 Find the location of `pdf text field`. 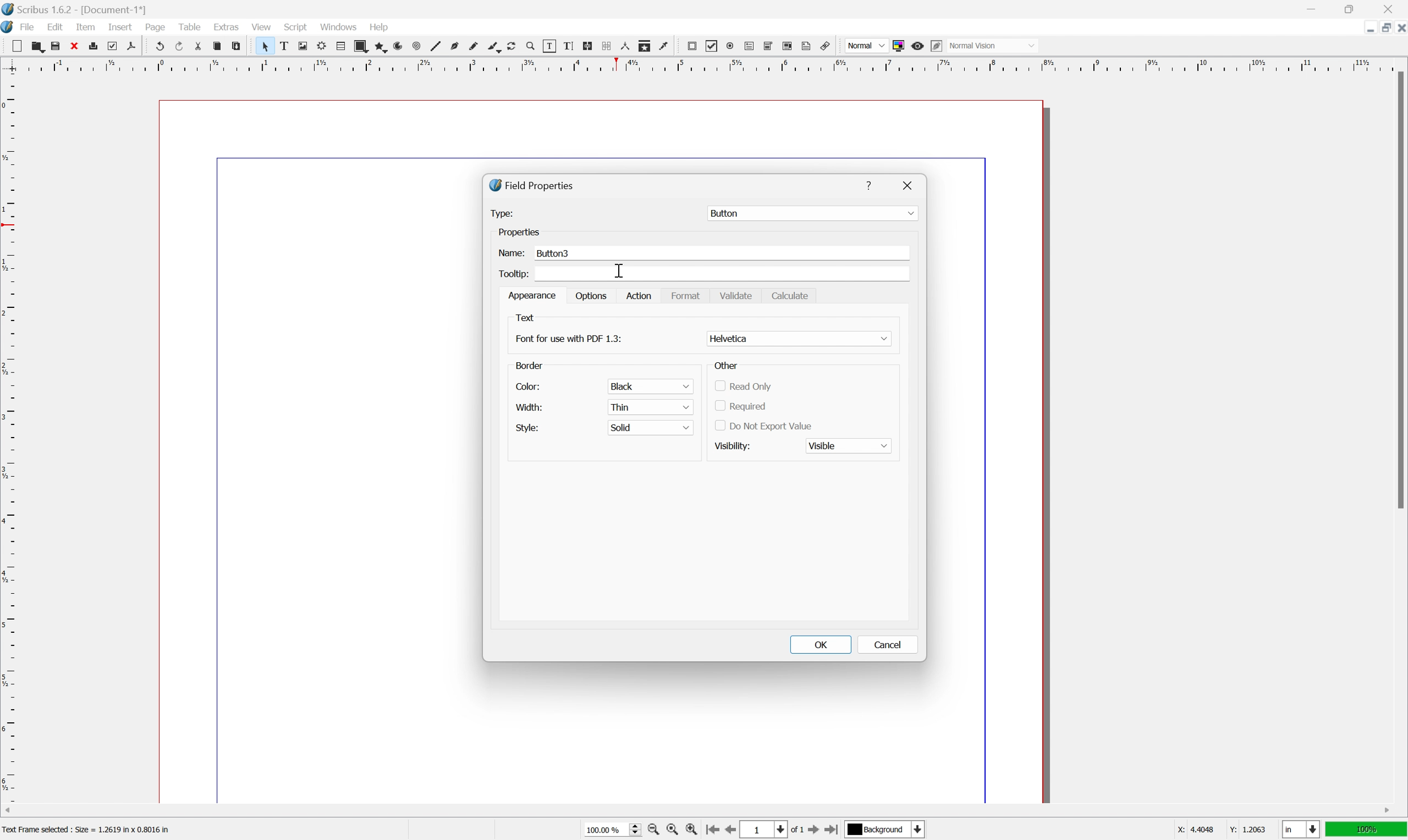

pdf text field is located at coordinates (749, 47).